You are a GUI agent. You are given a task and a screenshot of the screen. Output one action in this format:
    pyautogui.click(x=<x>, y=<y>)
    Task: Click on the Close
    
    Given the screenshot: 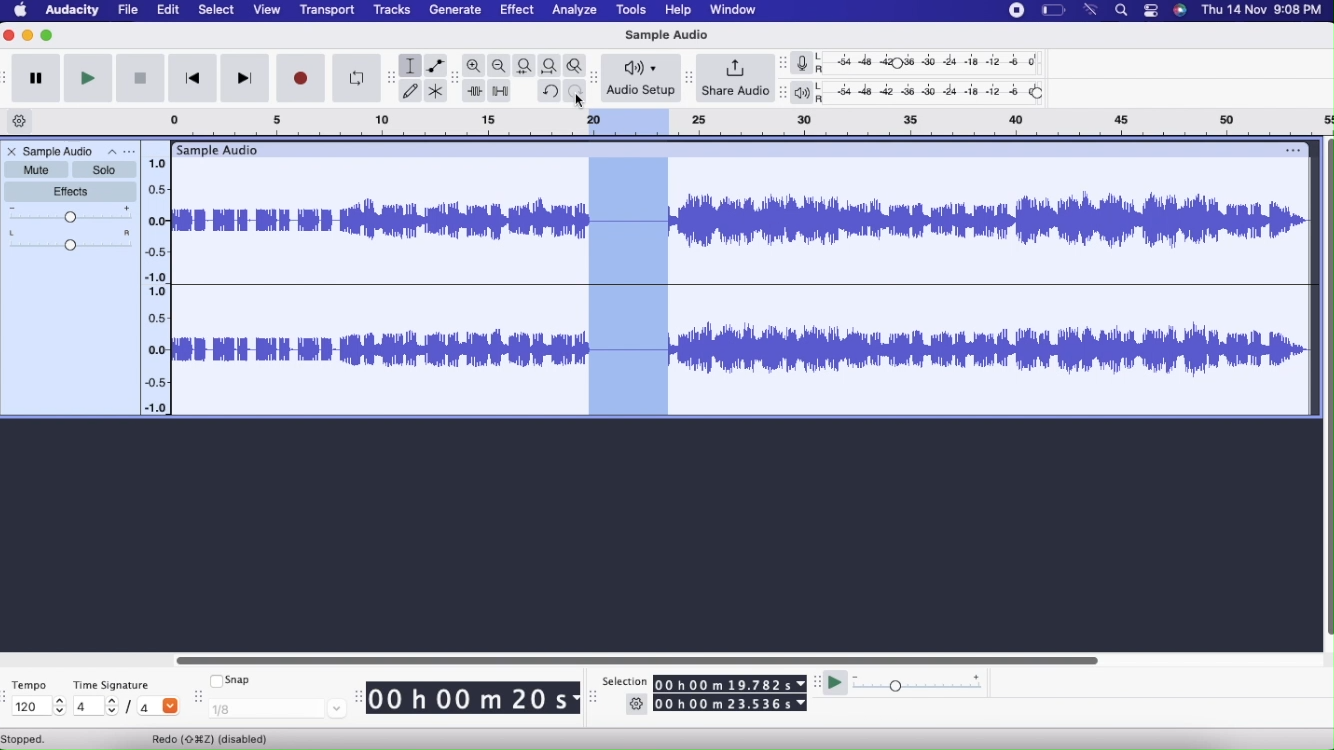 What is the action you would take?
    pyautogui.click(x=13, y=153)
    